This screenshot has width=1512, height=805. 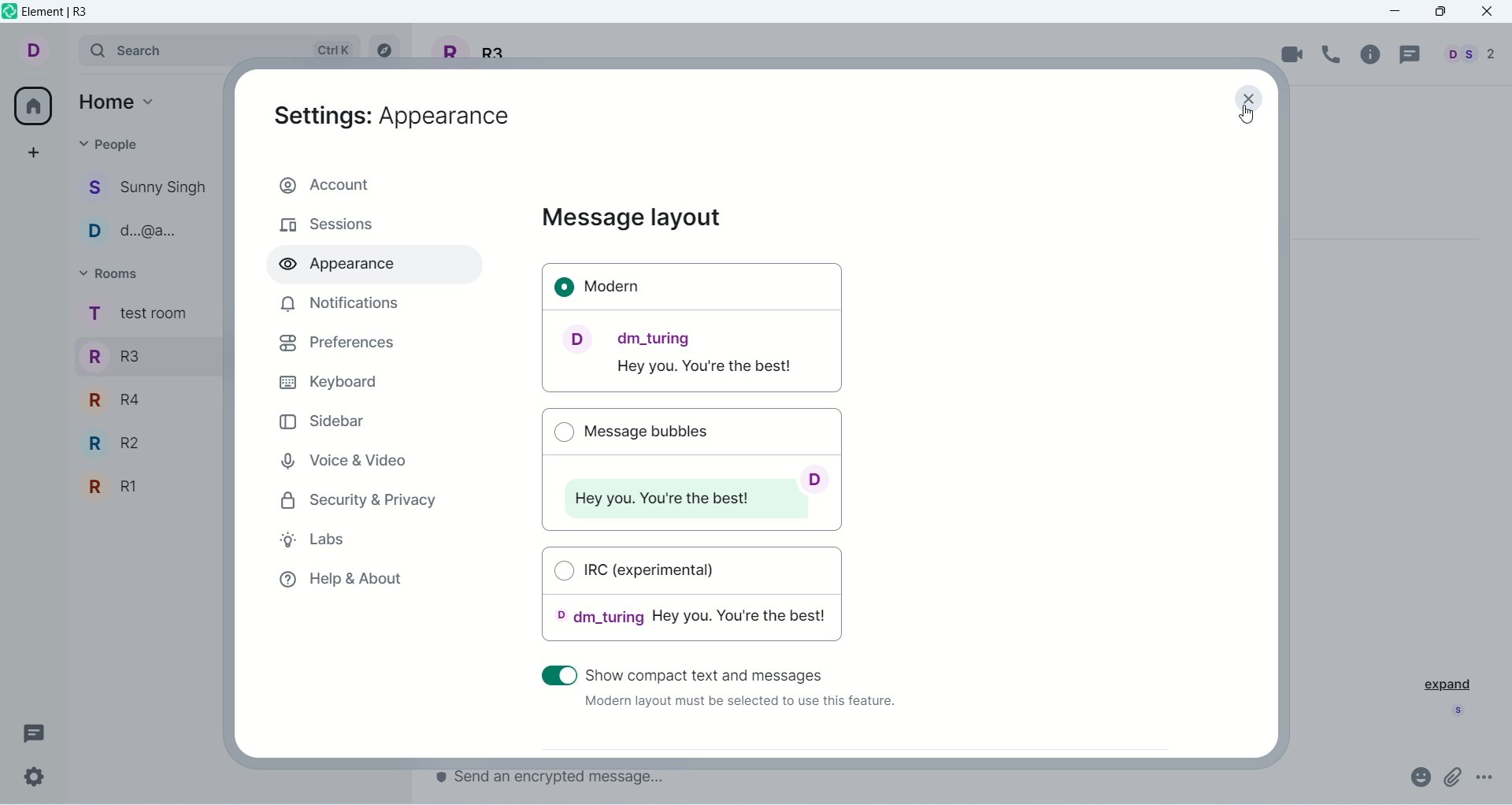 I want to click on all rooms, so click(x=29, y=106).